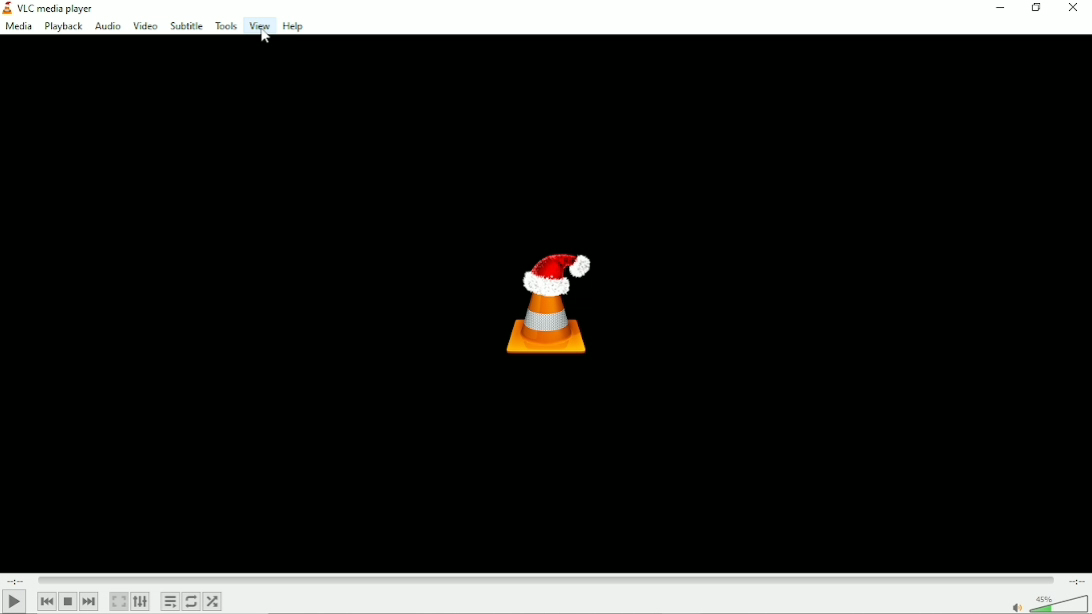 Image resolution: width=1092 pixels, height=614 pixels. Describe the element at coordinates (118, 602) in the screenshot. I see `Toggle video in fullscreen` at that location.